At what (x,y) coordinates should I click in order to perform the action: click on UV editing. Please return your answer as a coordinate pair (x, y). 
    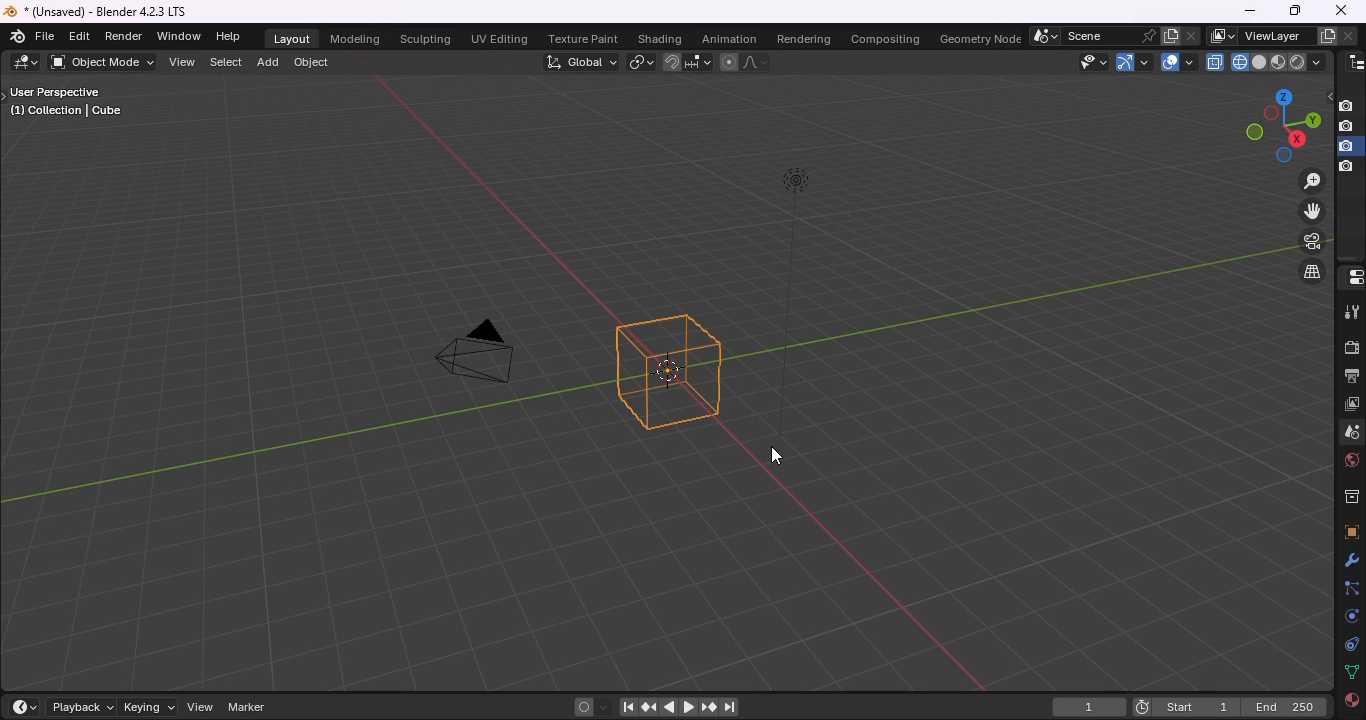
    Looking at the image, I should click on (502, 39).